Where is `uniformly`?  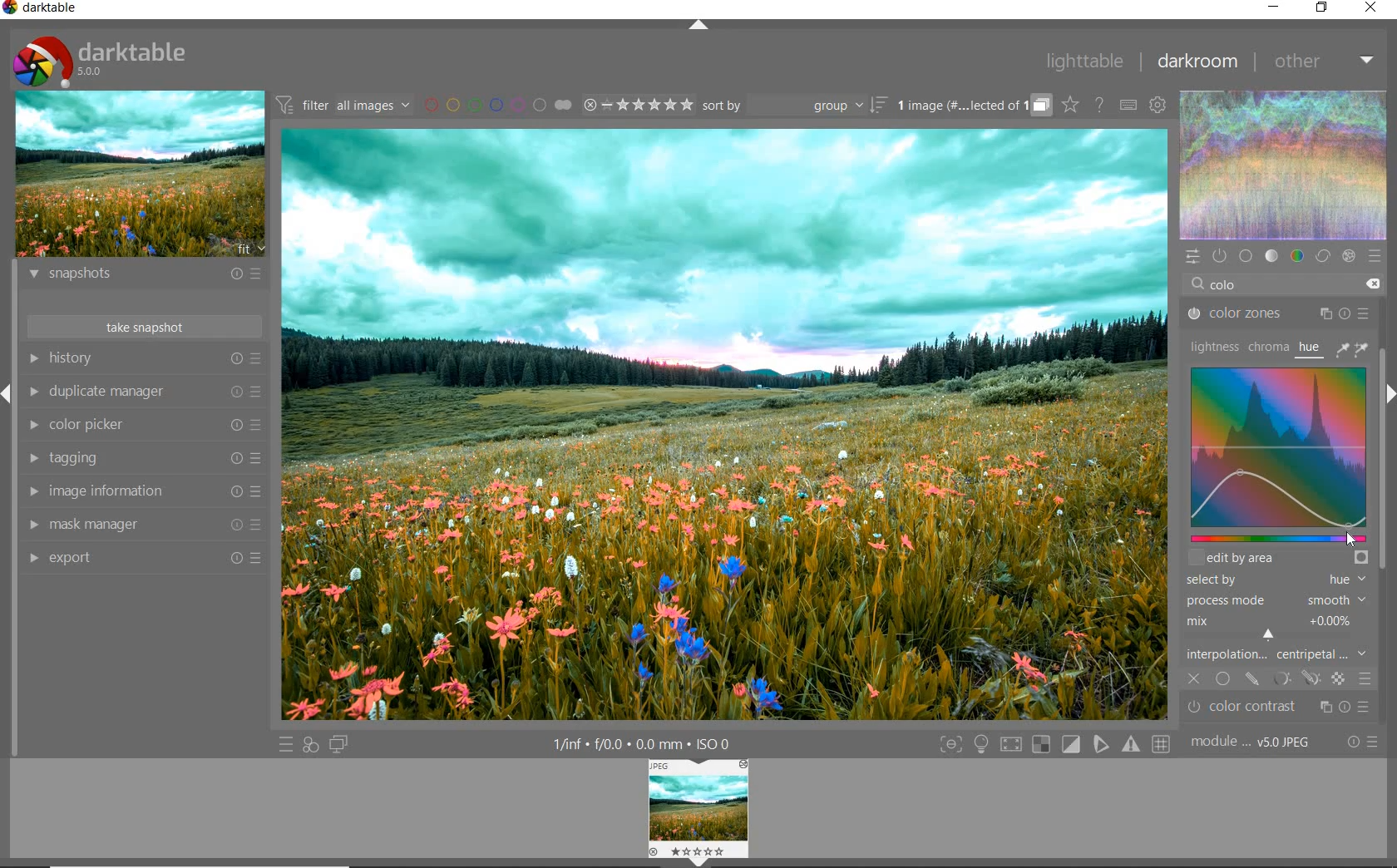
uniformly is located at coordinates (1224, 679).